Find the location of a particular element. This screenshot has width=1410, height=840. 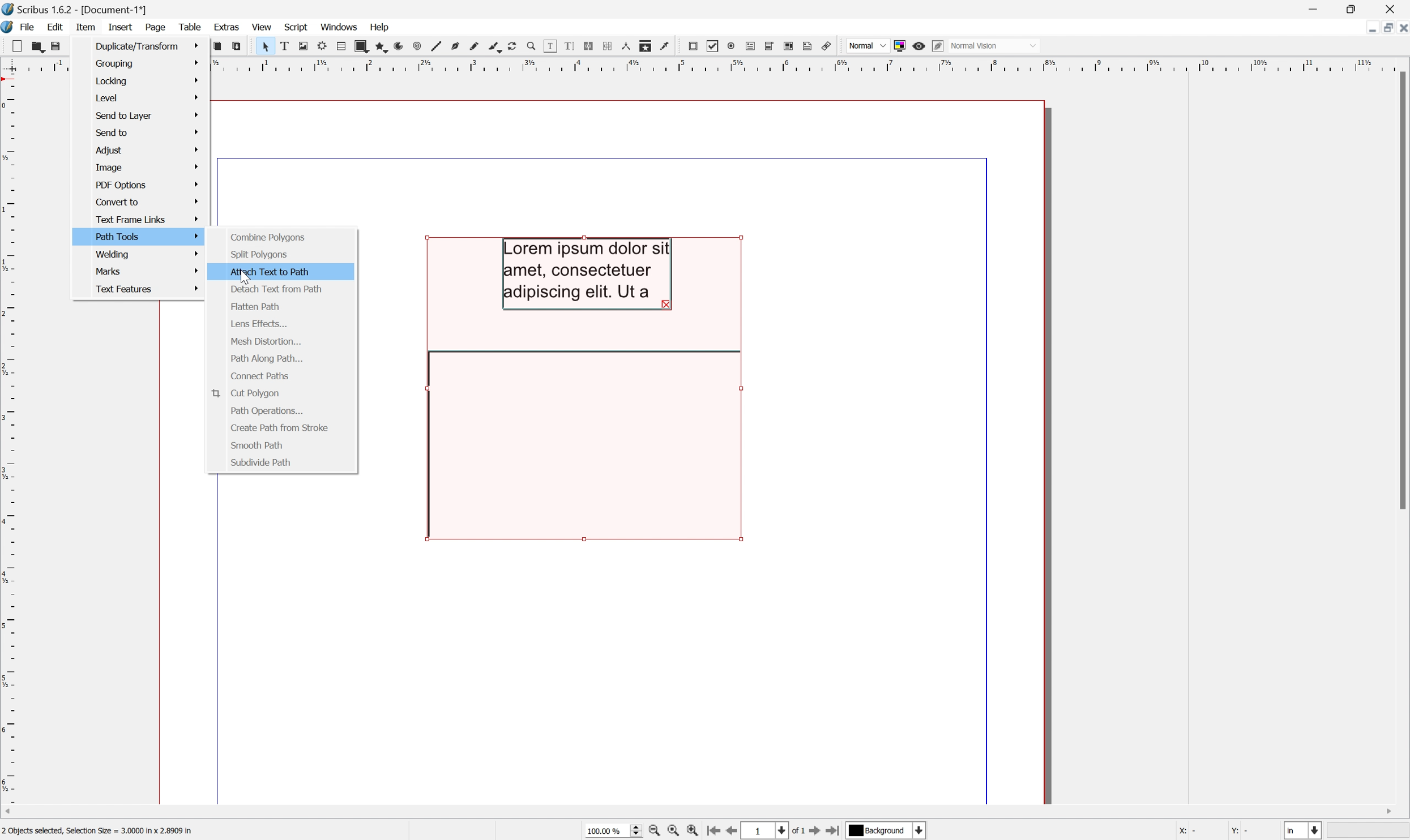

Text annotation is located at coordinates (810, 46).